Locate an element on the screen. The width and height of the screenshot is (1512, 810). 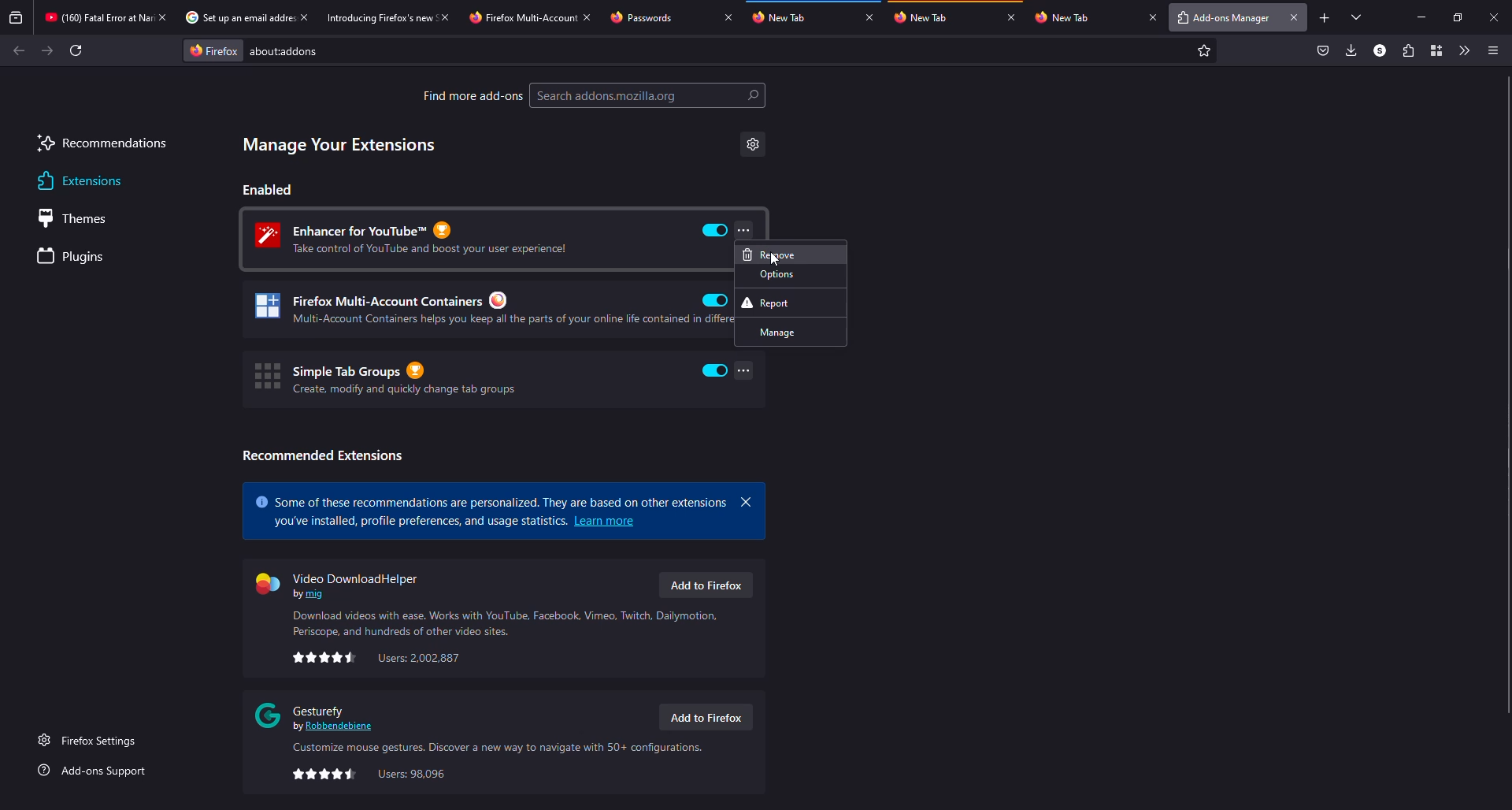
profile is located at coordinates (1380, 50).